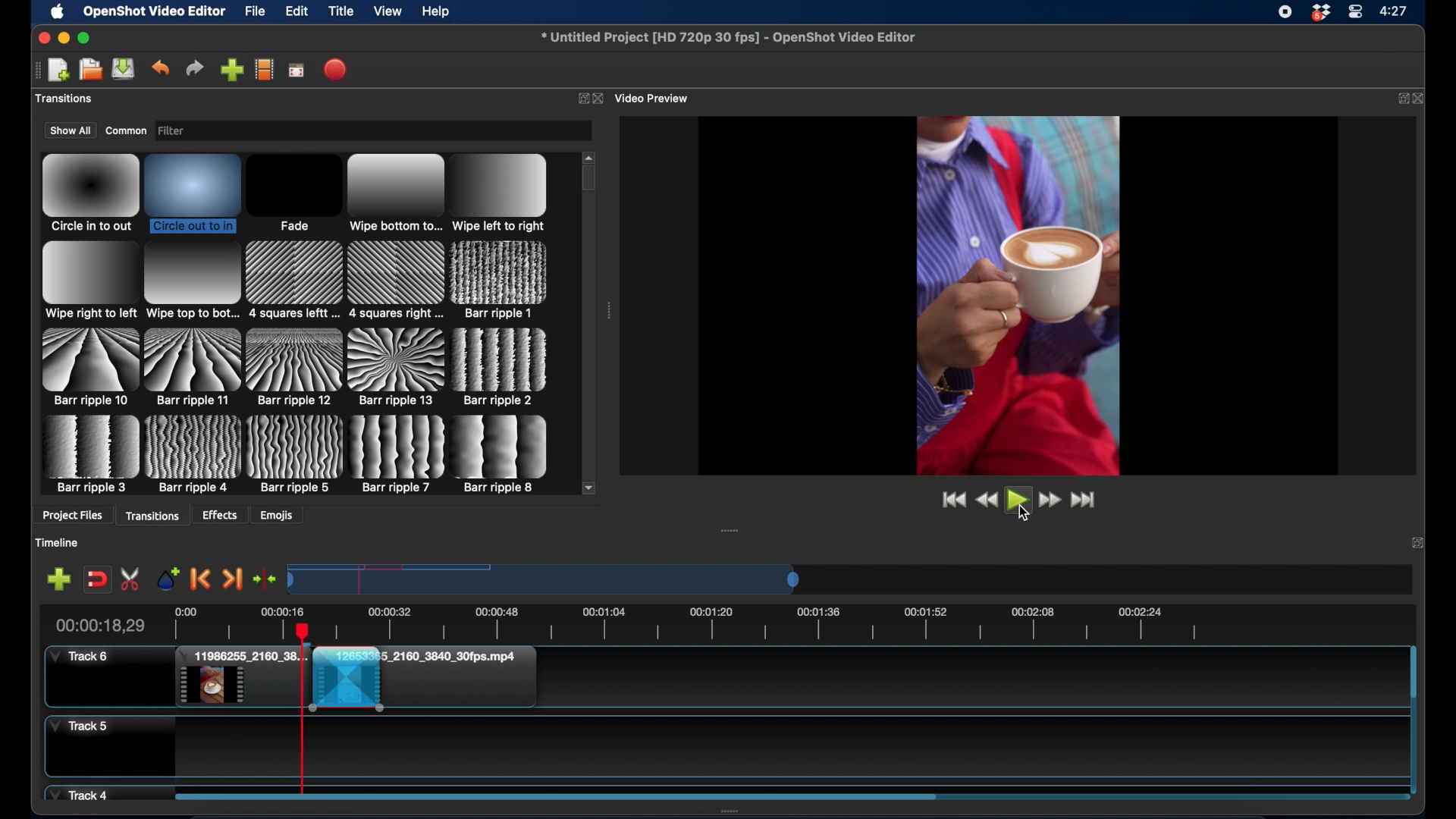  I want to click on minimize, so click(63, 38).